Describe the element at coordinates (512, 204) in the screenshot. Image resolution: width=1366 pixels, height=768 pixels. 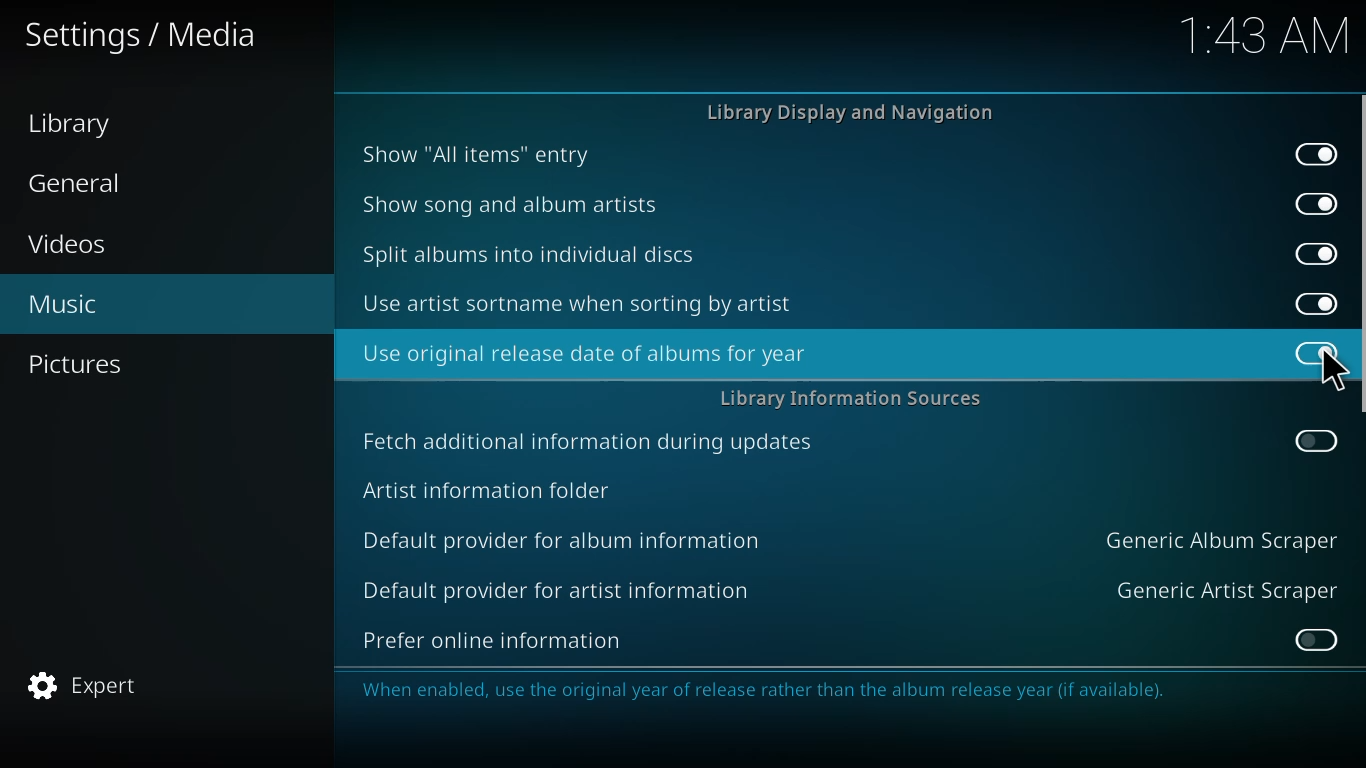
I see `show song and album artists` at that location.